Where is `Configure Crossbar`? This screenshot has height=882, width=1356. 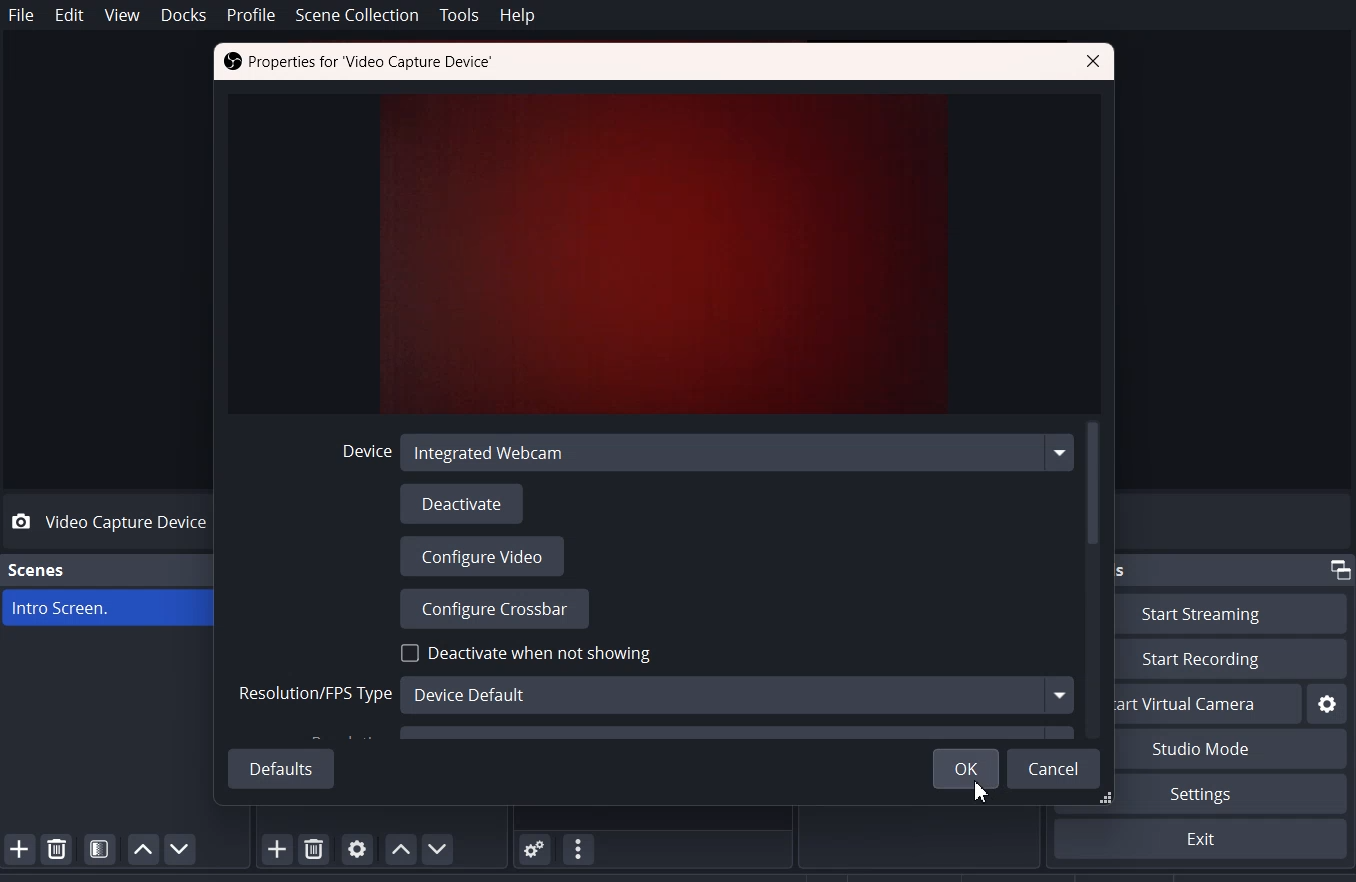
Configure Crossbar is located at coordinates (494, 608).